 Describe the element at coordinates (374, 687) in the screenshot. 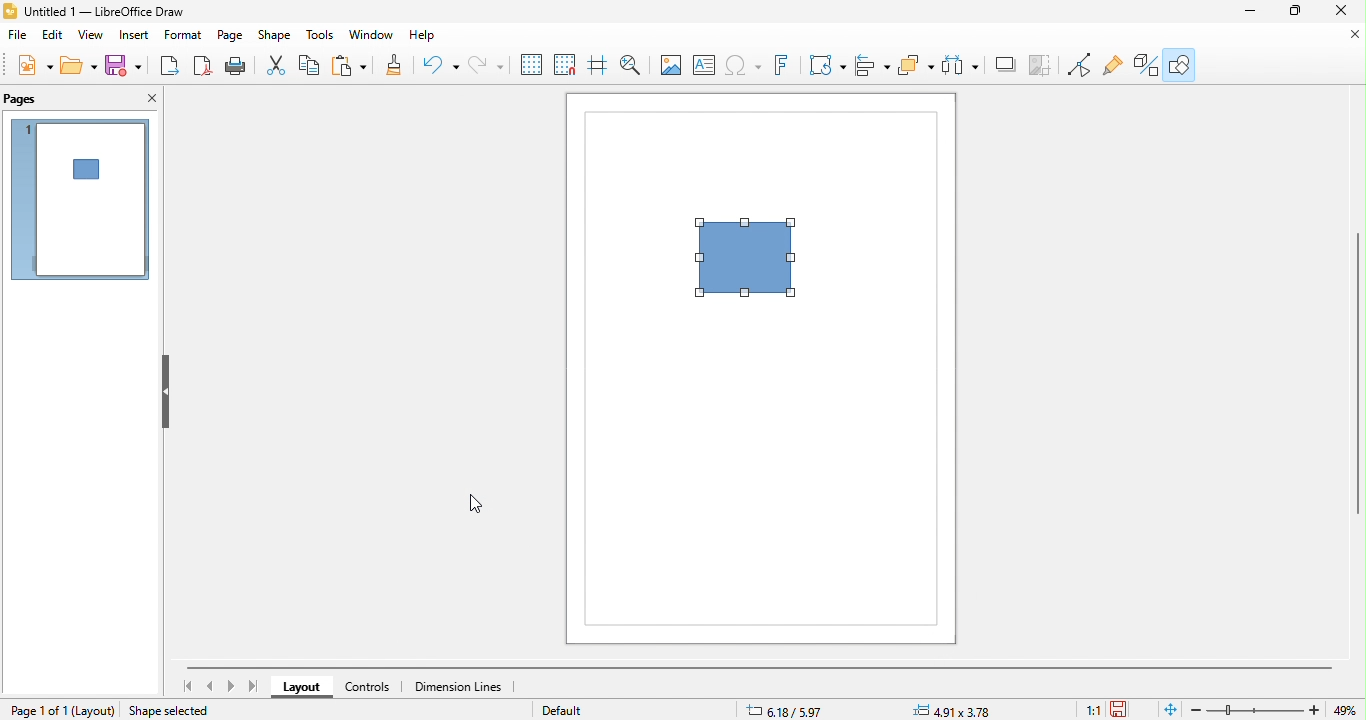

I see `controls` at that location.